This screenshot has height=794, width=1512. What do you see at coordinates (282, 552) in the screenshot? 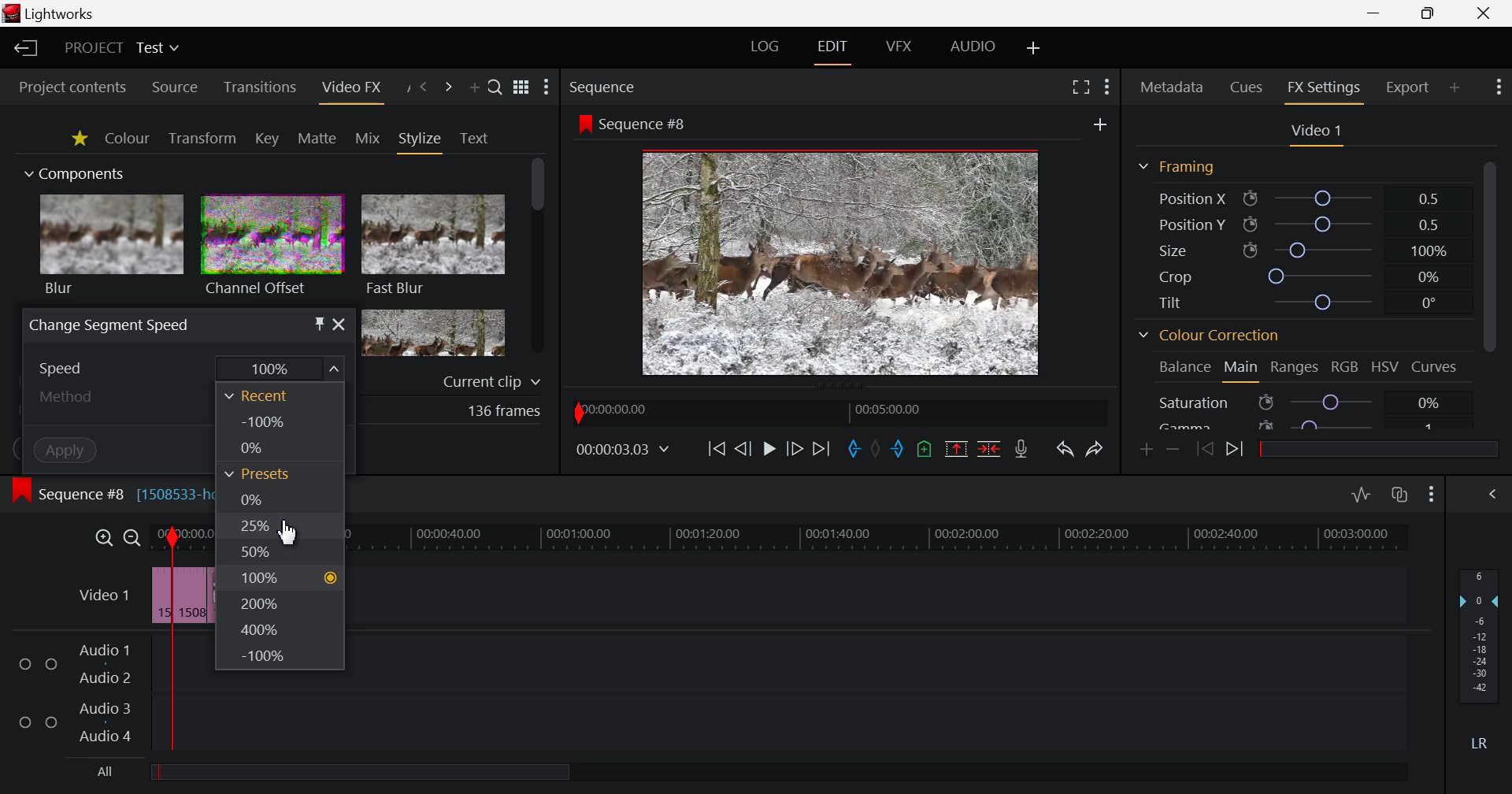
I see `50%` at bounding box center [282, 552].